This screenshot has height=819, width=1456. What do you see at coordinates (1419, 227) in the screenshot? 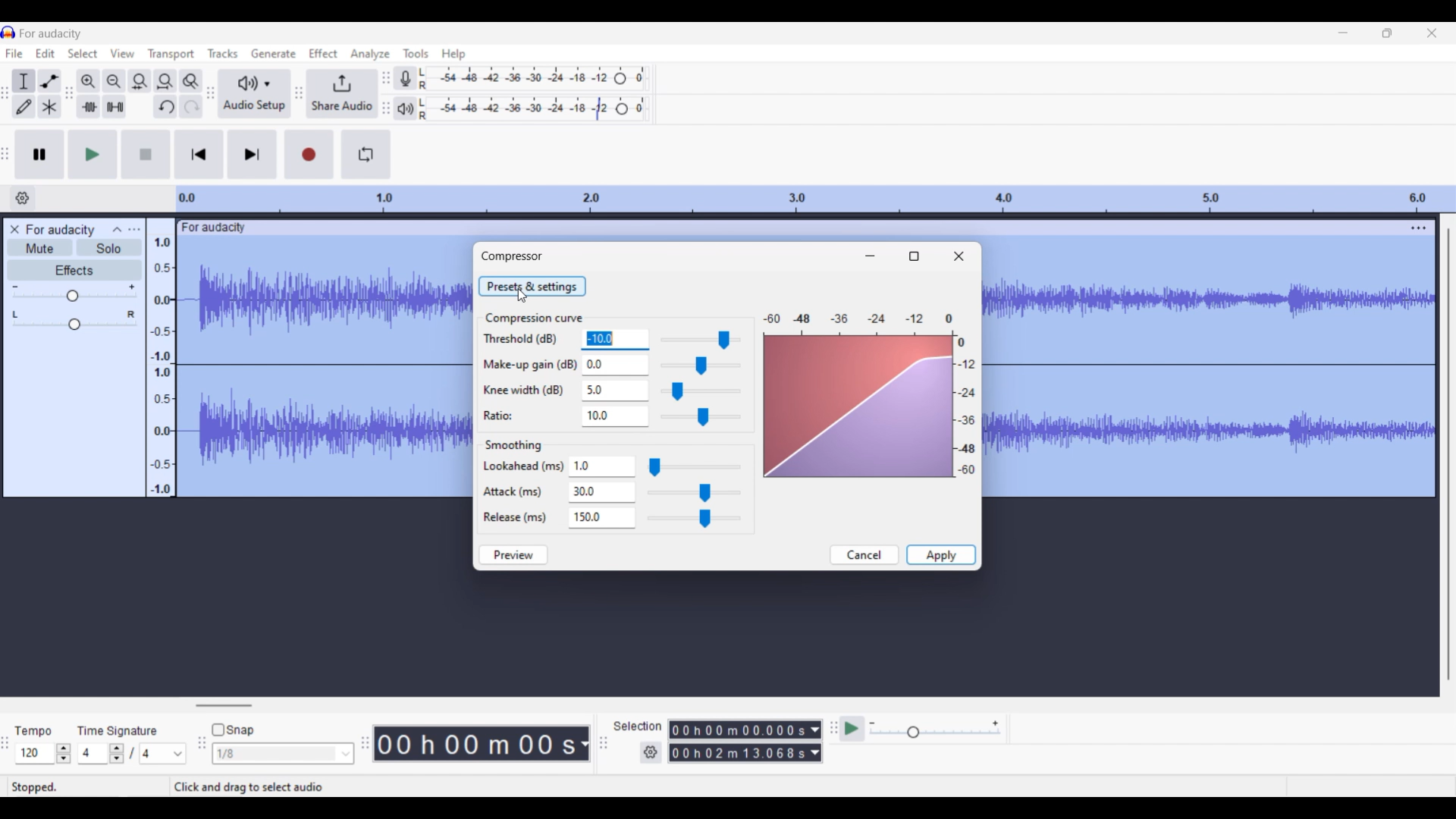
I see `Track settings` at bounding box center [1419, 227].